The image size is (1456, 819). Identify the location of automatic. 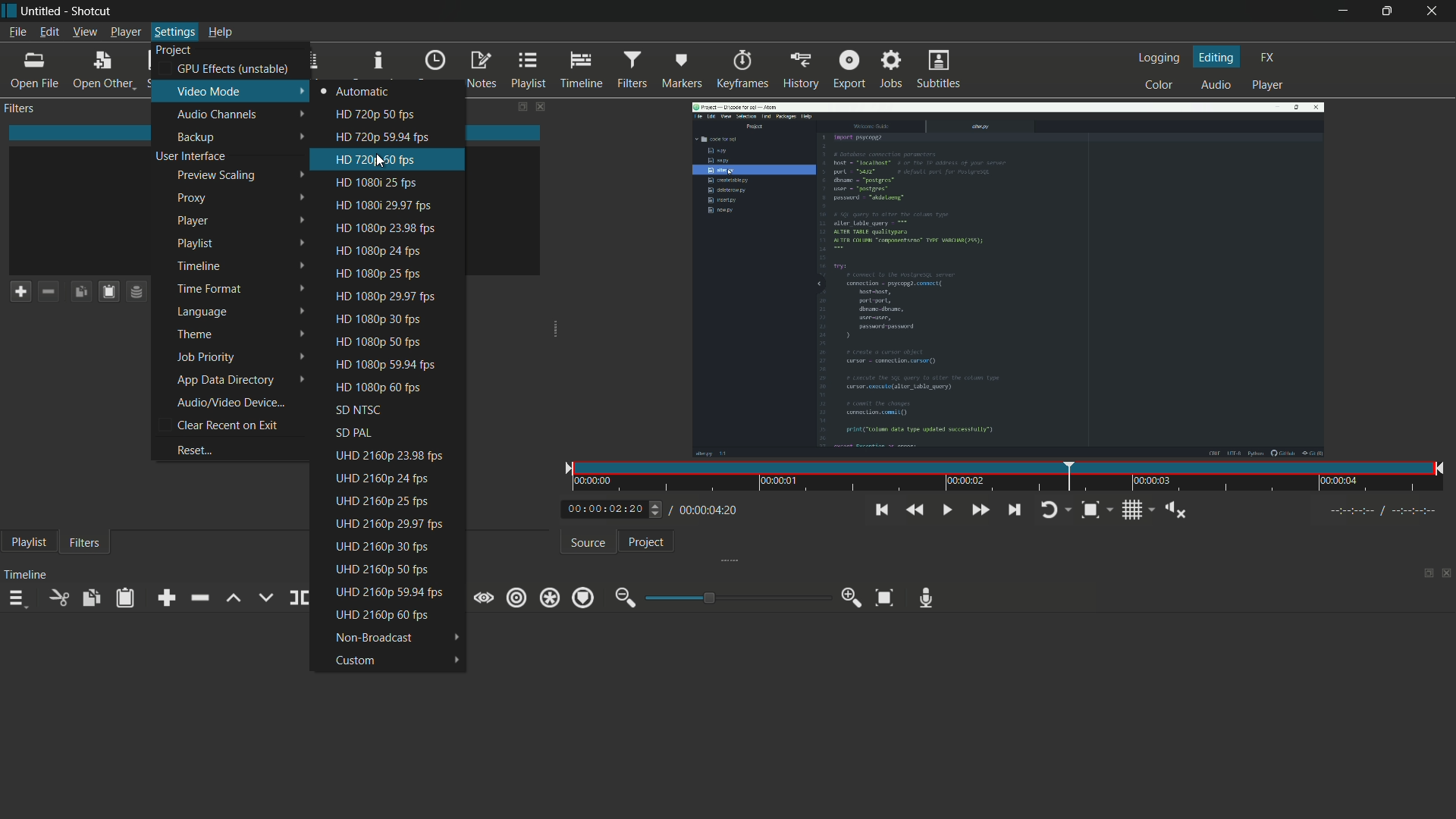
(397, 93).